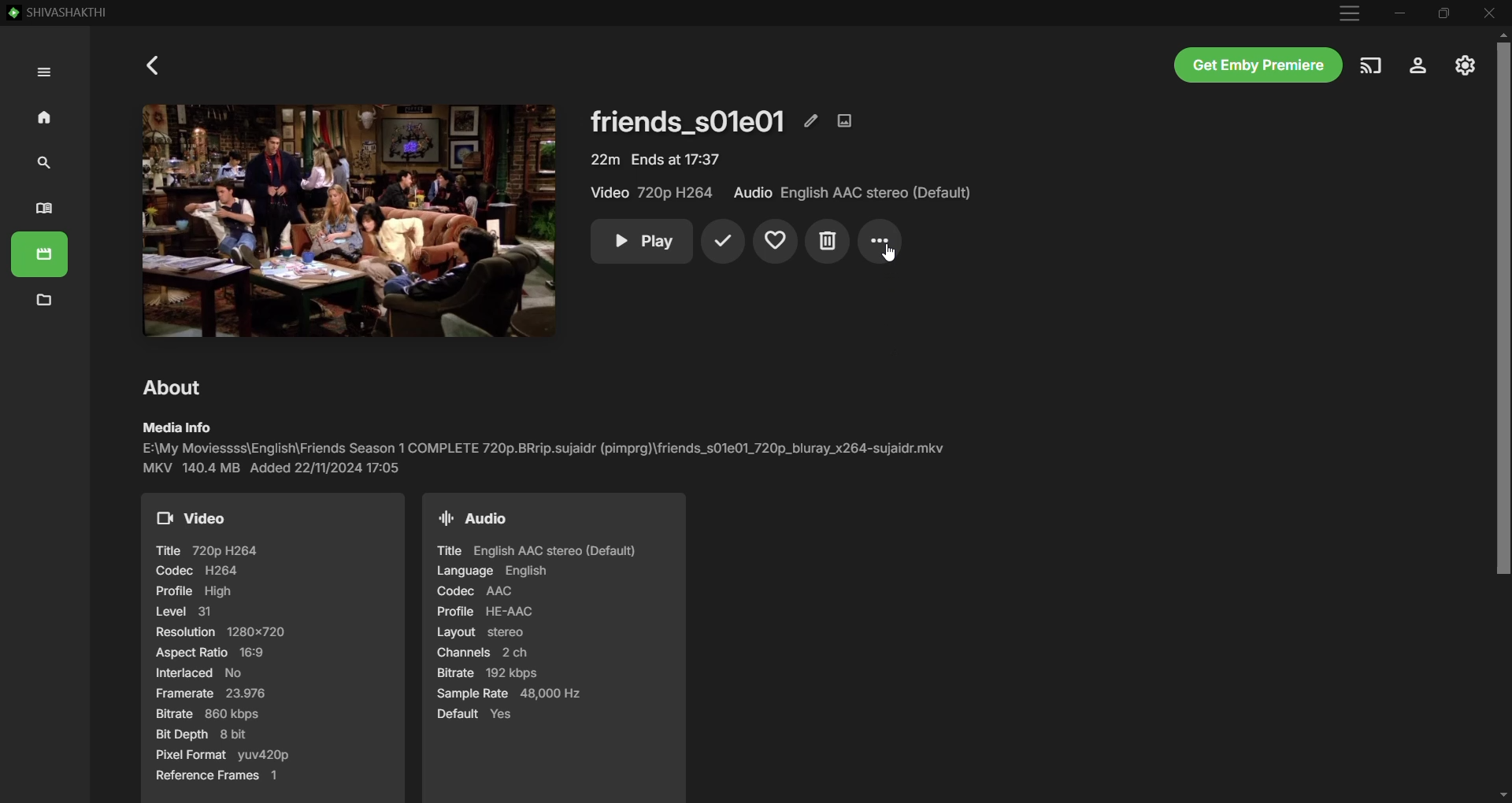 This screenshot has height=803, width=1512. I want to click on , so click(1350, 13).